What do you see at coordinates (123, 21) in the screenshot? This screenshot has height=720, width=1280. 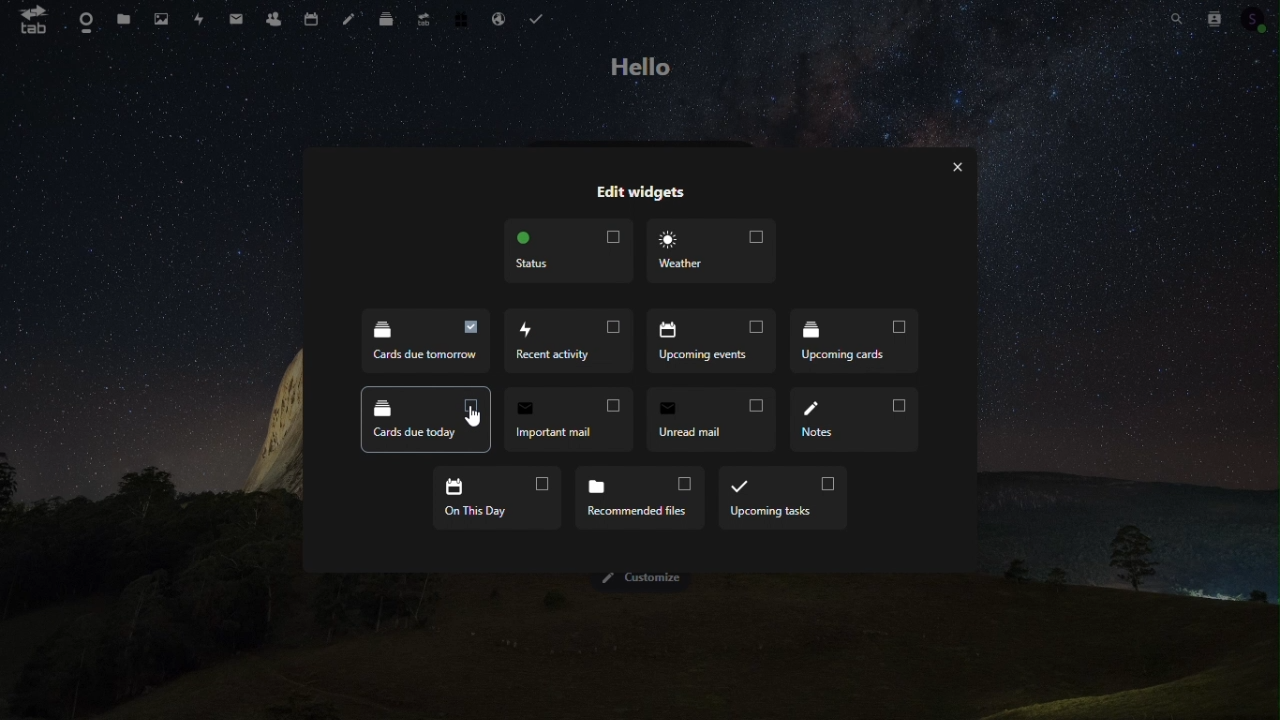 I see `Files` at bounding box center [123, 21].